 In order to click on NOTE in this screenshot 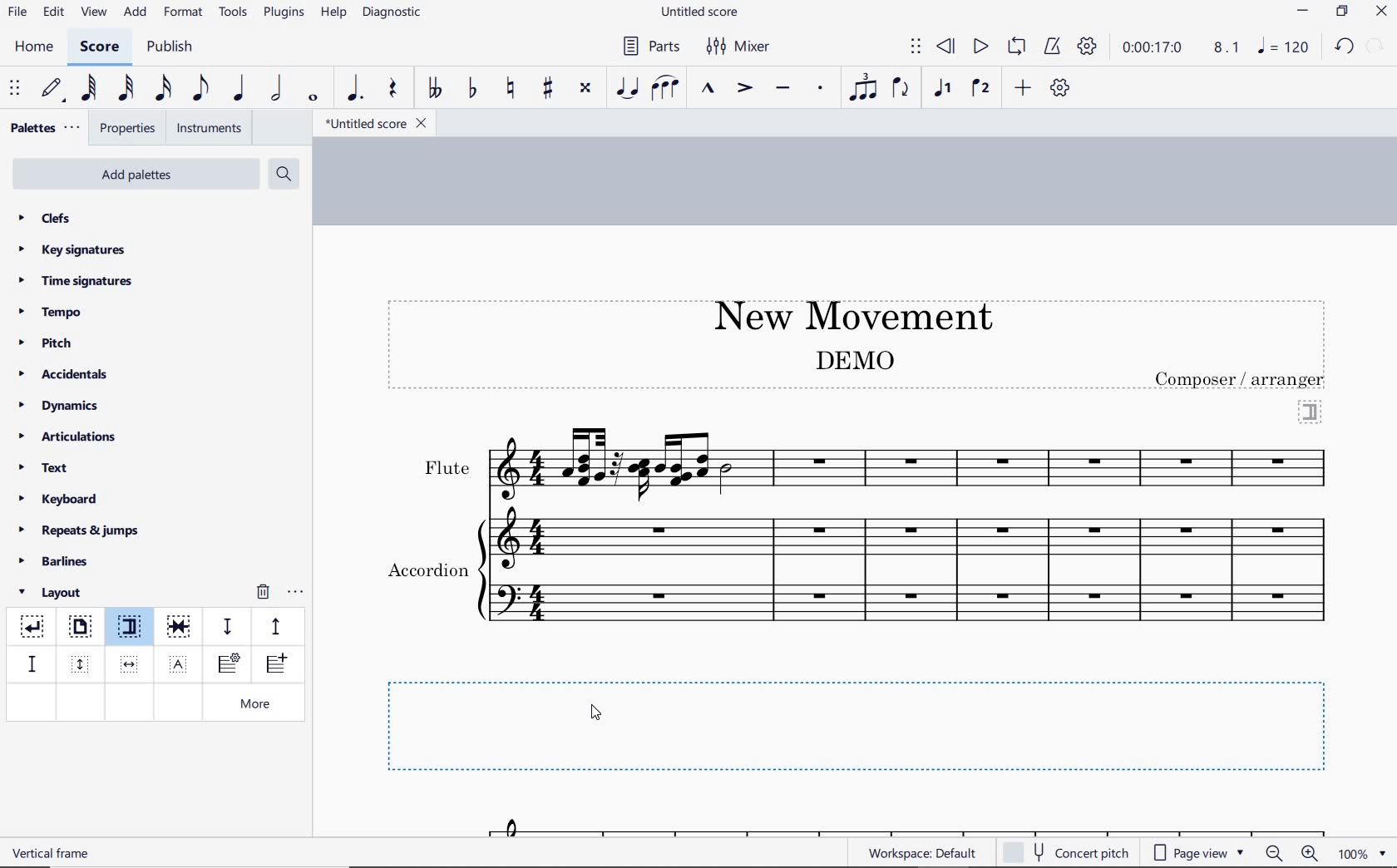, I will do `click(1285, 47)`.